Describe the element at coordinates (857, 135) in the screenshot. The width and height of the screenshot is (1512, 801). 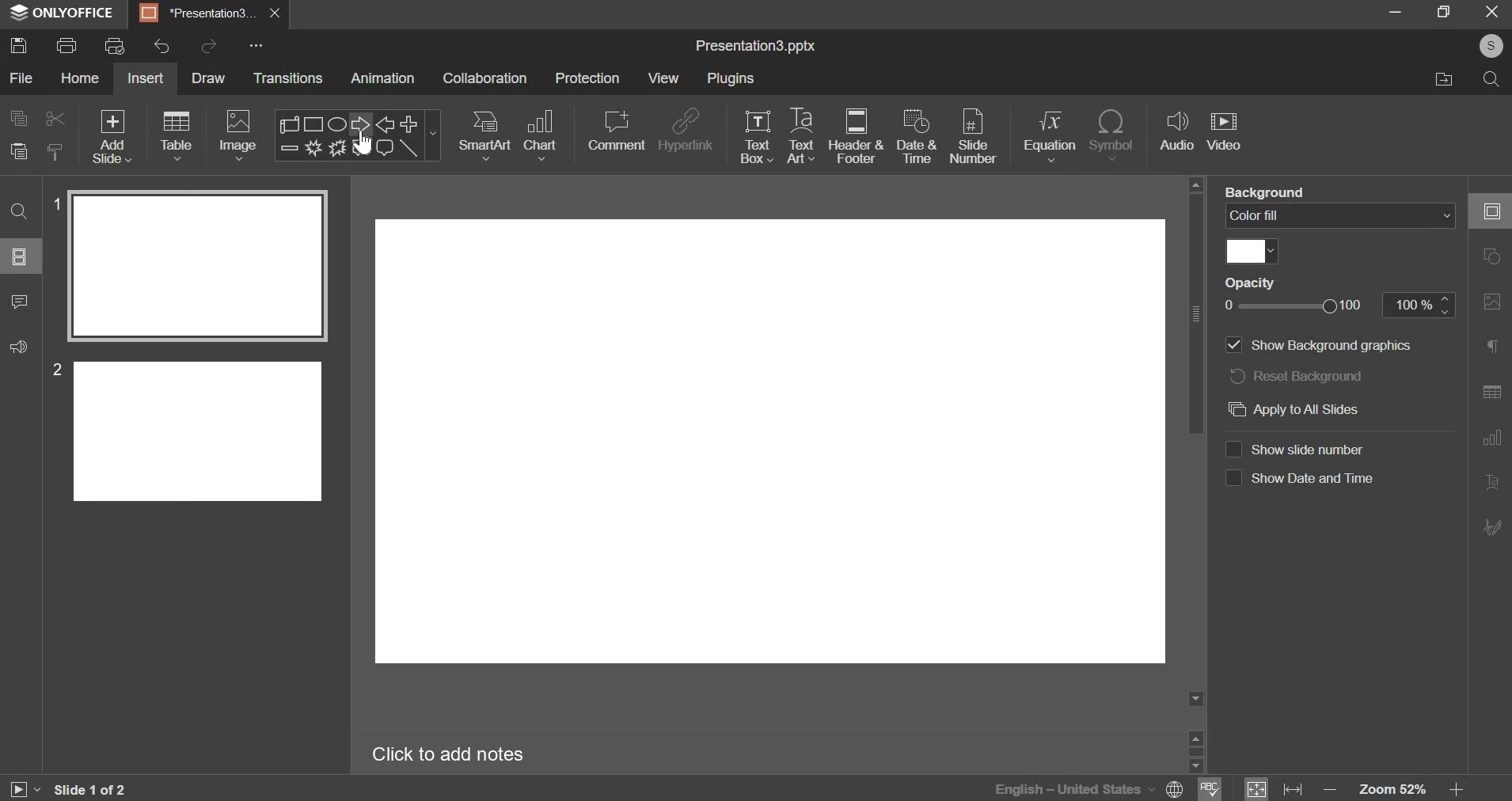
I see `header & footer` at that location.